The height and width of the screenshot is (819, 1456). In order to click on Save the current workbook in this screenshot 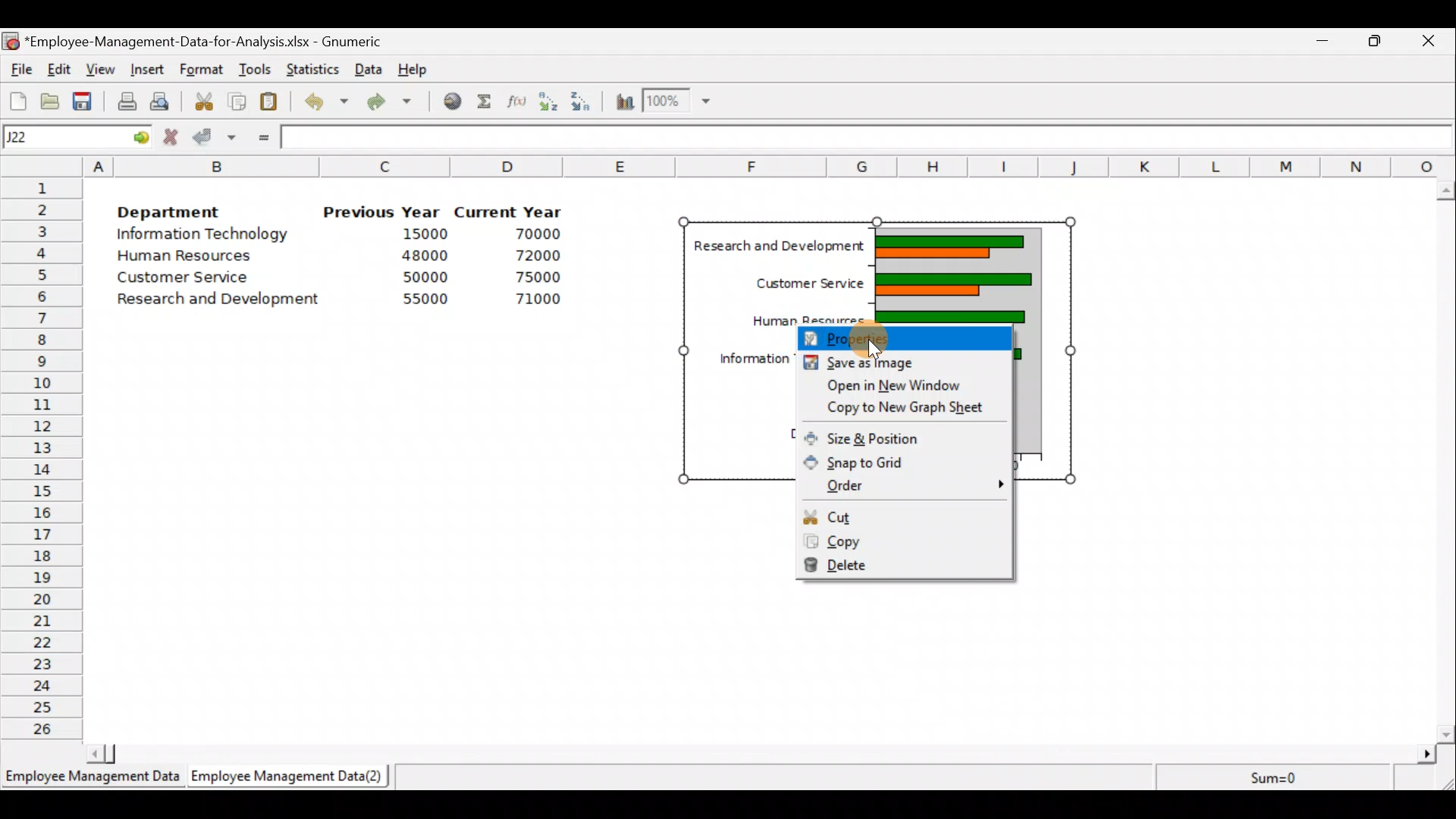, I will do `click(83, 99)`.